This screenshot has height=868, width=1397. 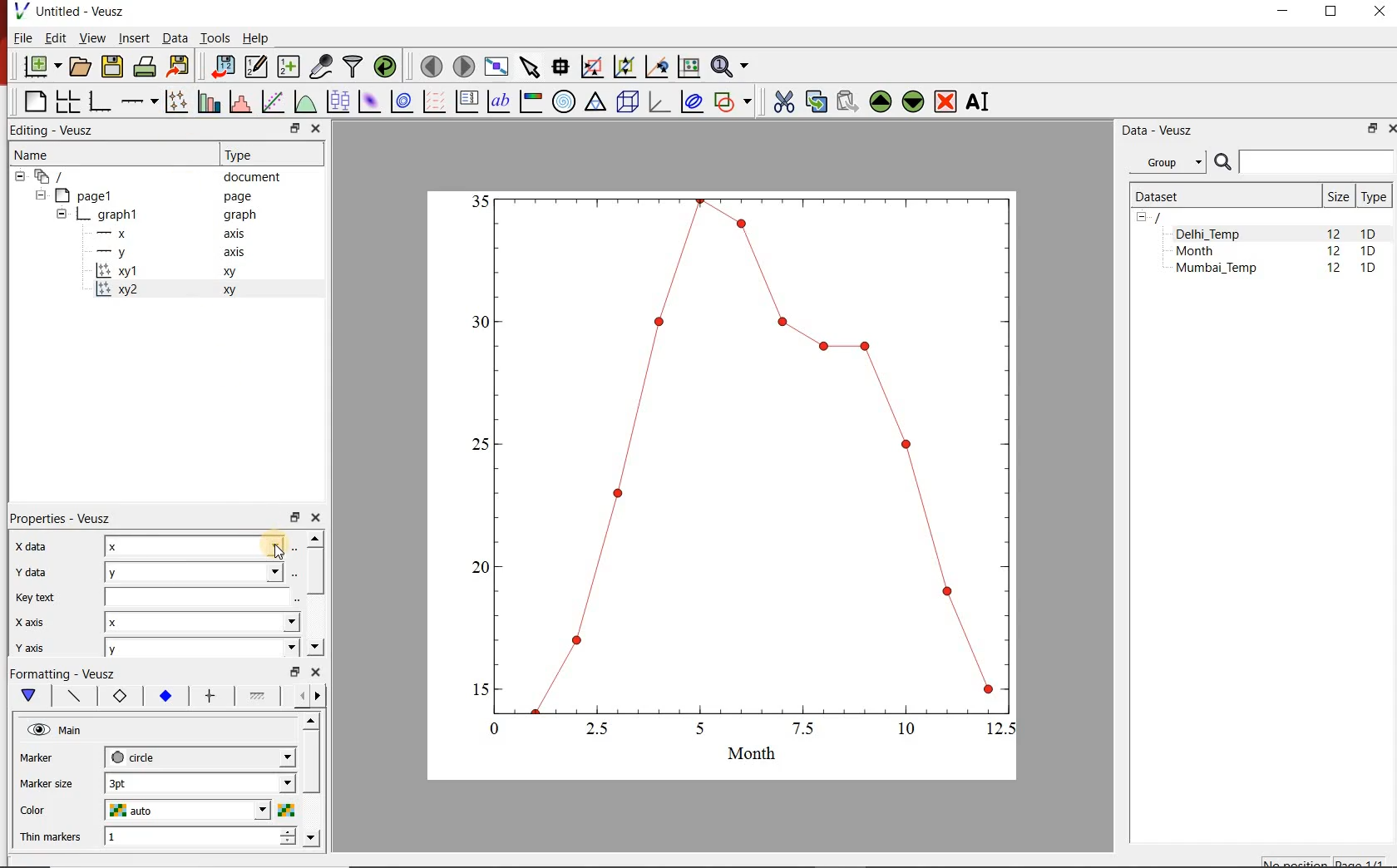 I want to click on click or draw a rectangle to zoom graph indexes, so click(x=592, y=67).